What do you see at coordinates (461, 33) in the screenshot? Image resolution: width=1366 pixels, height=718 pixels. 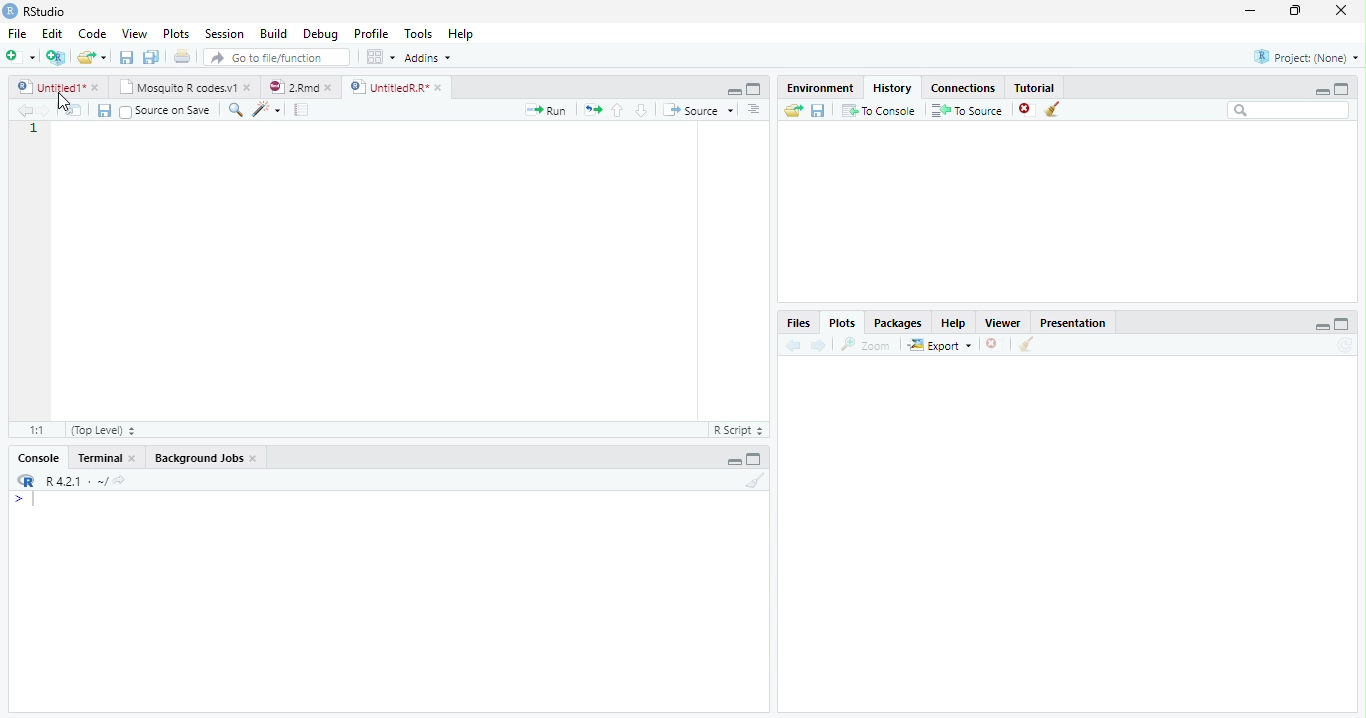 I see `Help` at bounding box center [461, 33].